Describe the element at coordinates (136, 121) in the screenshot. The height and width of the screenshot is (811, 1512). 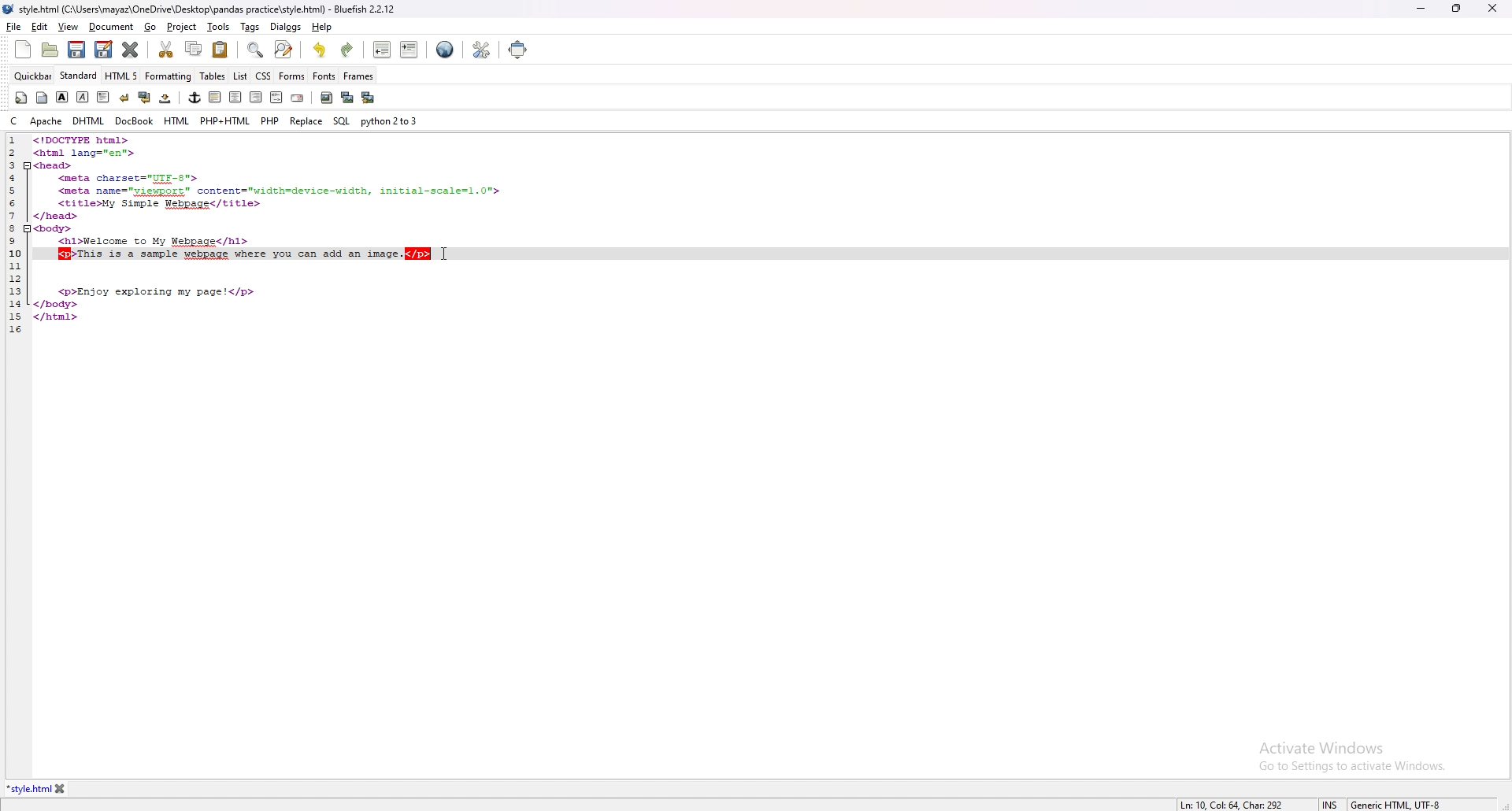
I see `docbook` at that location.